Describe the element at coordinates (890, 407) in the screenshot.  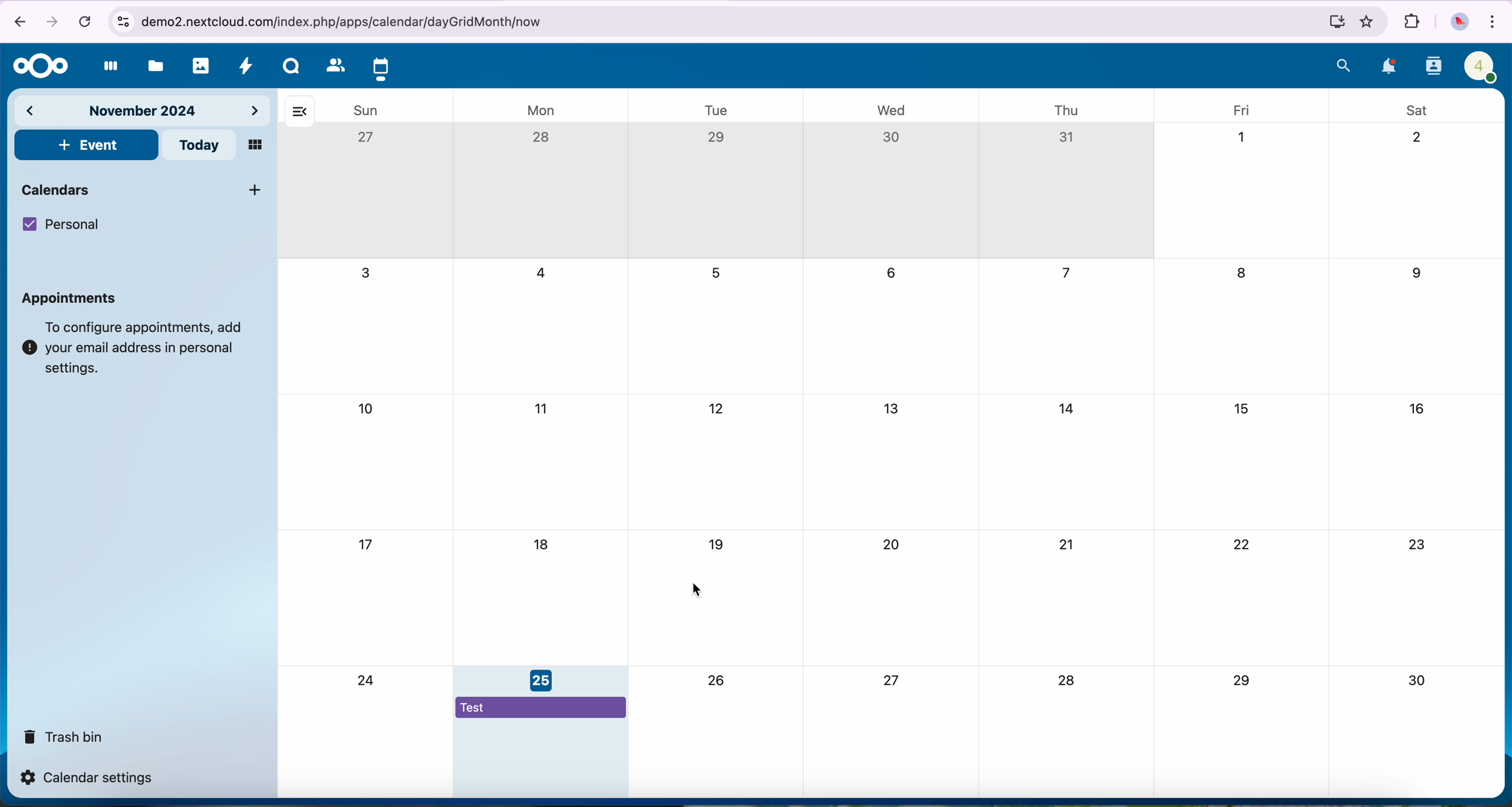
I see `13` at that location.